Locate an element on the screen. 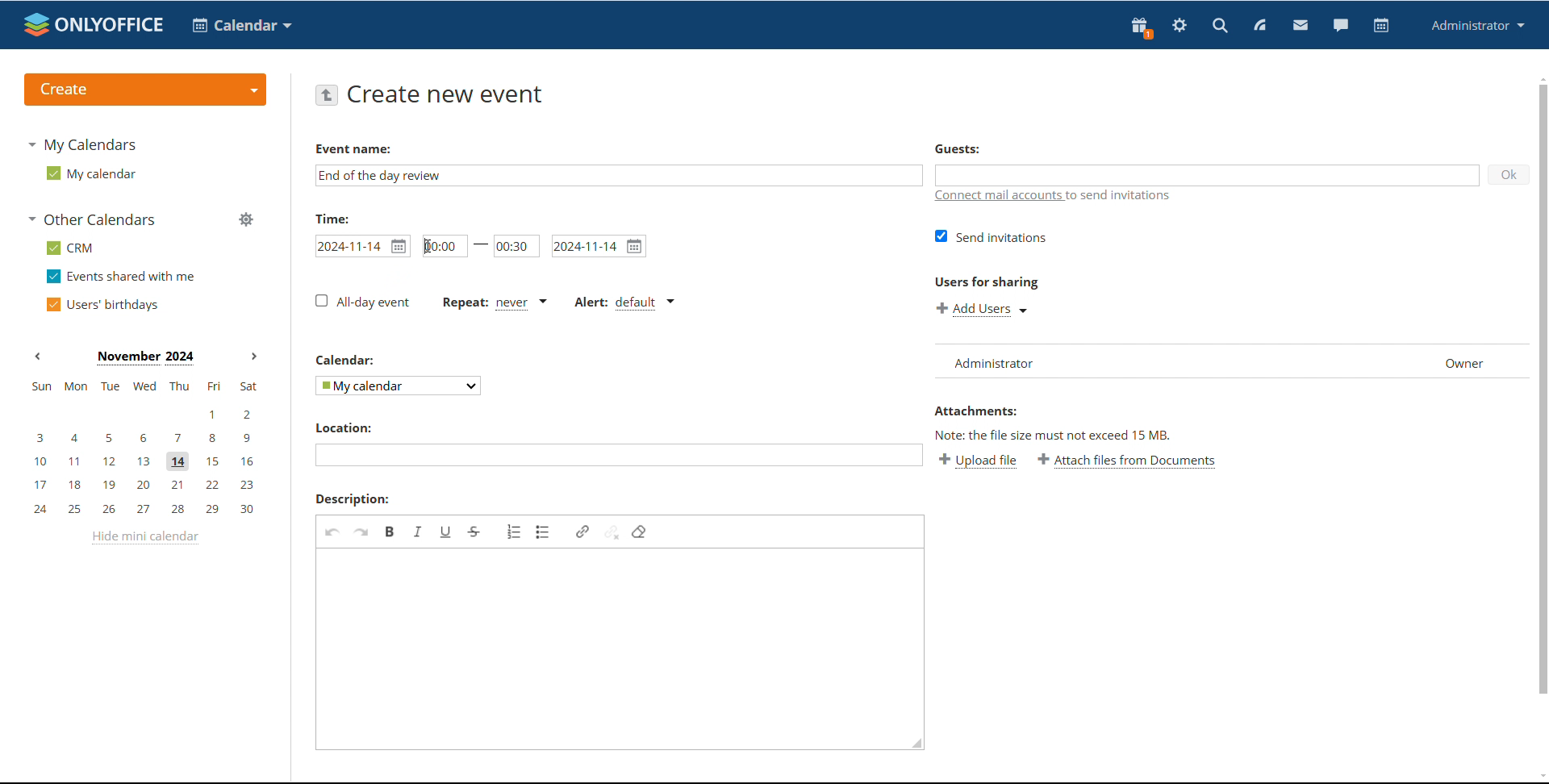 The height and width of the screenshot is (784, 1549). add users is located at coordinates (984, 309).